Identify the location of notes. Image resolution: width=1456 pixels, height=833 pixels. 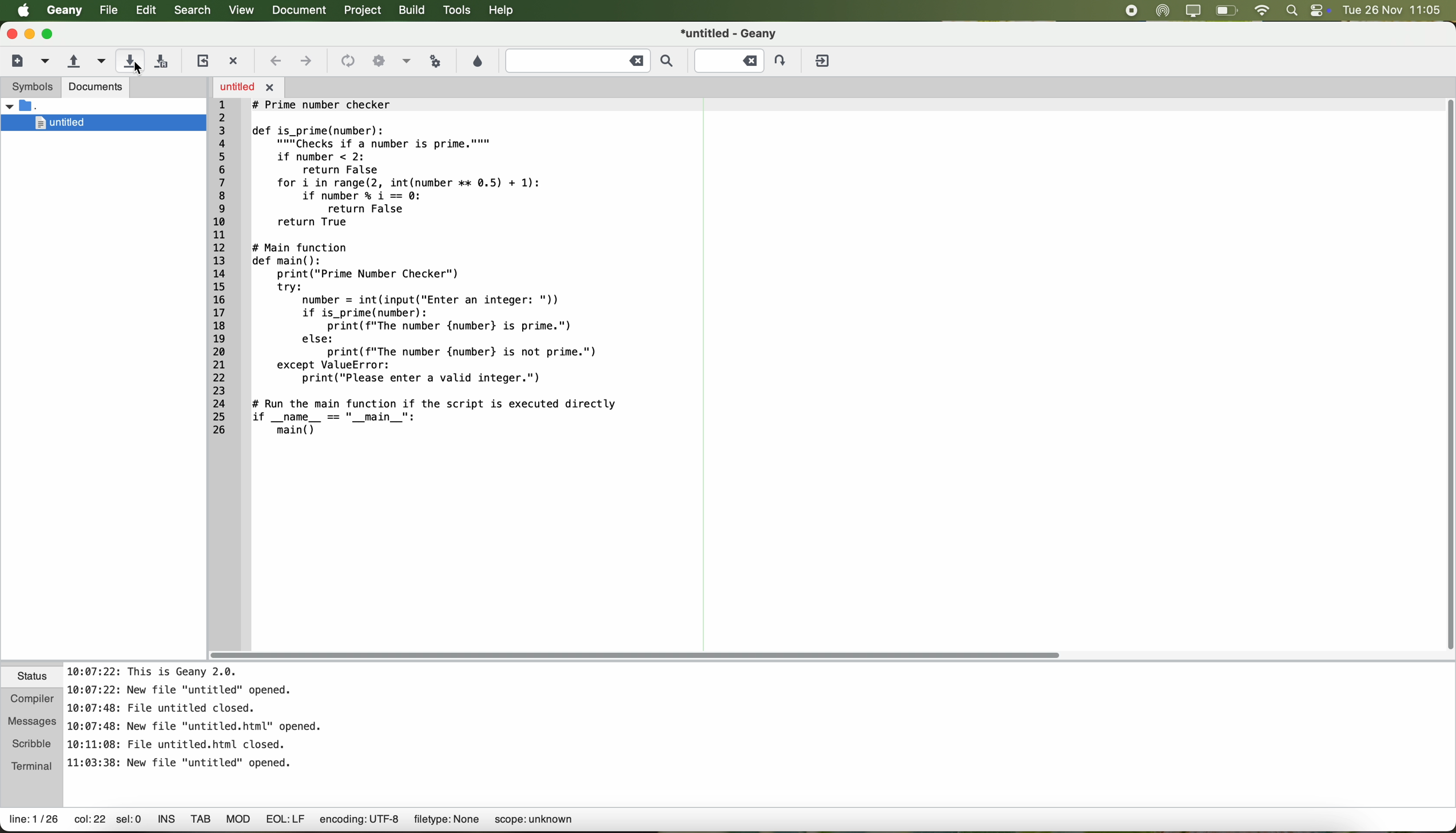
(196, 716).